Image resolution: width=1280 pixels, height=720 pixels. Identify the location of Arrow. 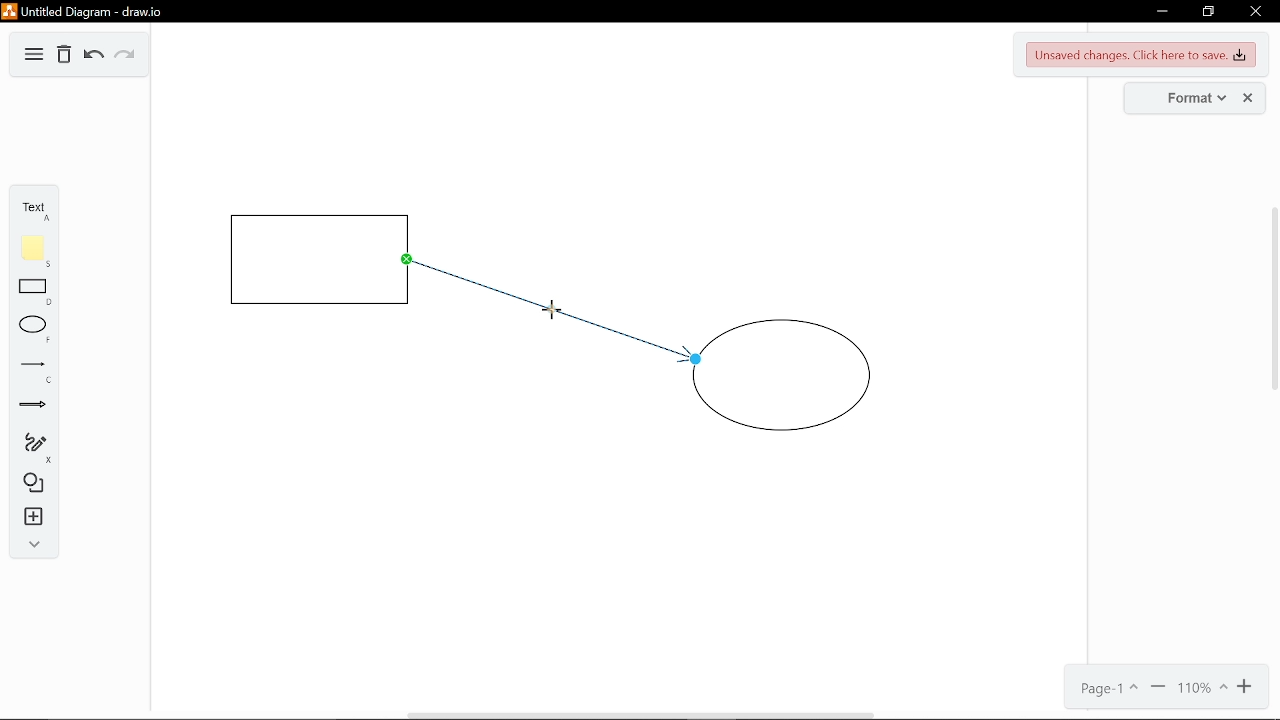
(30, 409).